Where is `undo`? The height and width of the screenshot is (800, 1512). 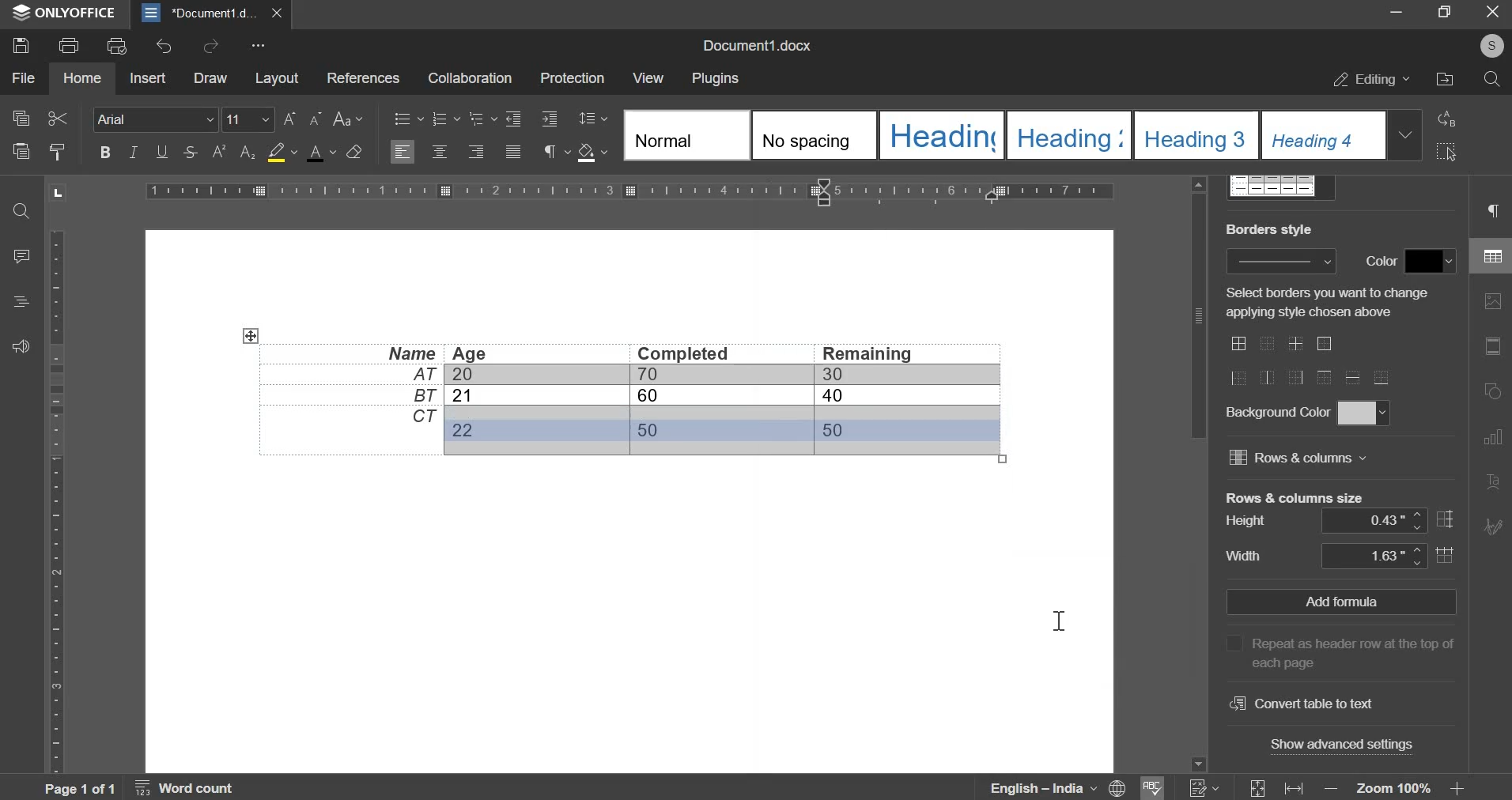 undo is located at coordinates (161, 46).